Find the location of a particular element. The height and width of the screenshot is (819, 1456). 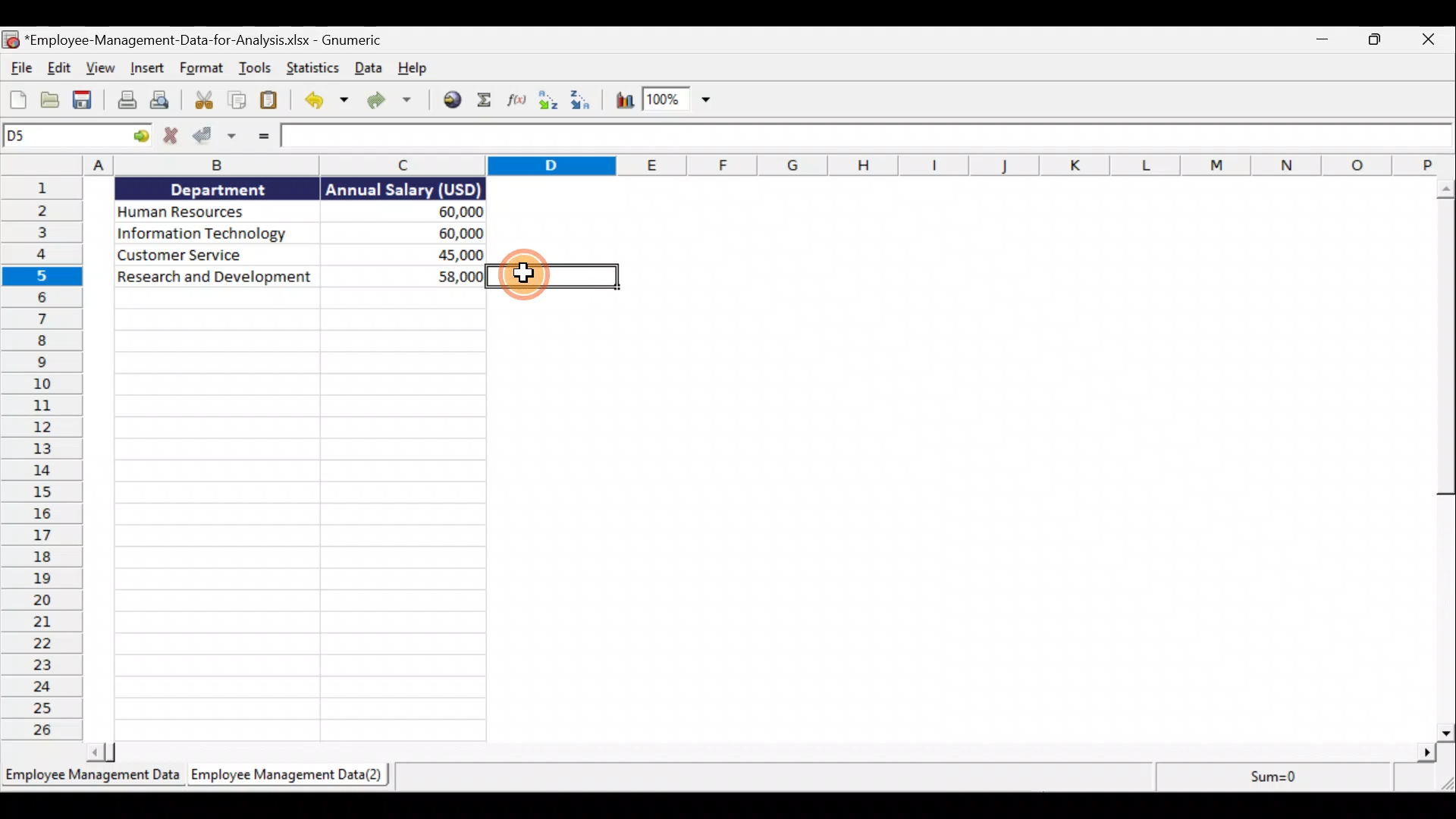

cursor is located at coordinates (525, 273).